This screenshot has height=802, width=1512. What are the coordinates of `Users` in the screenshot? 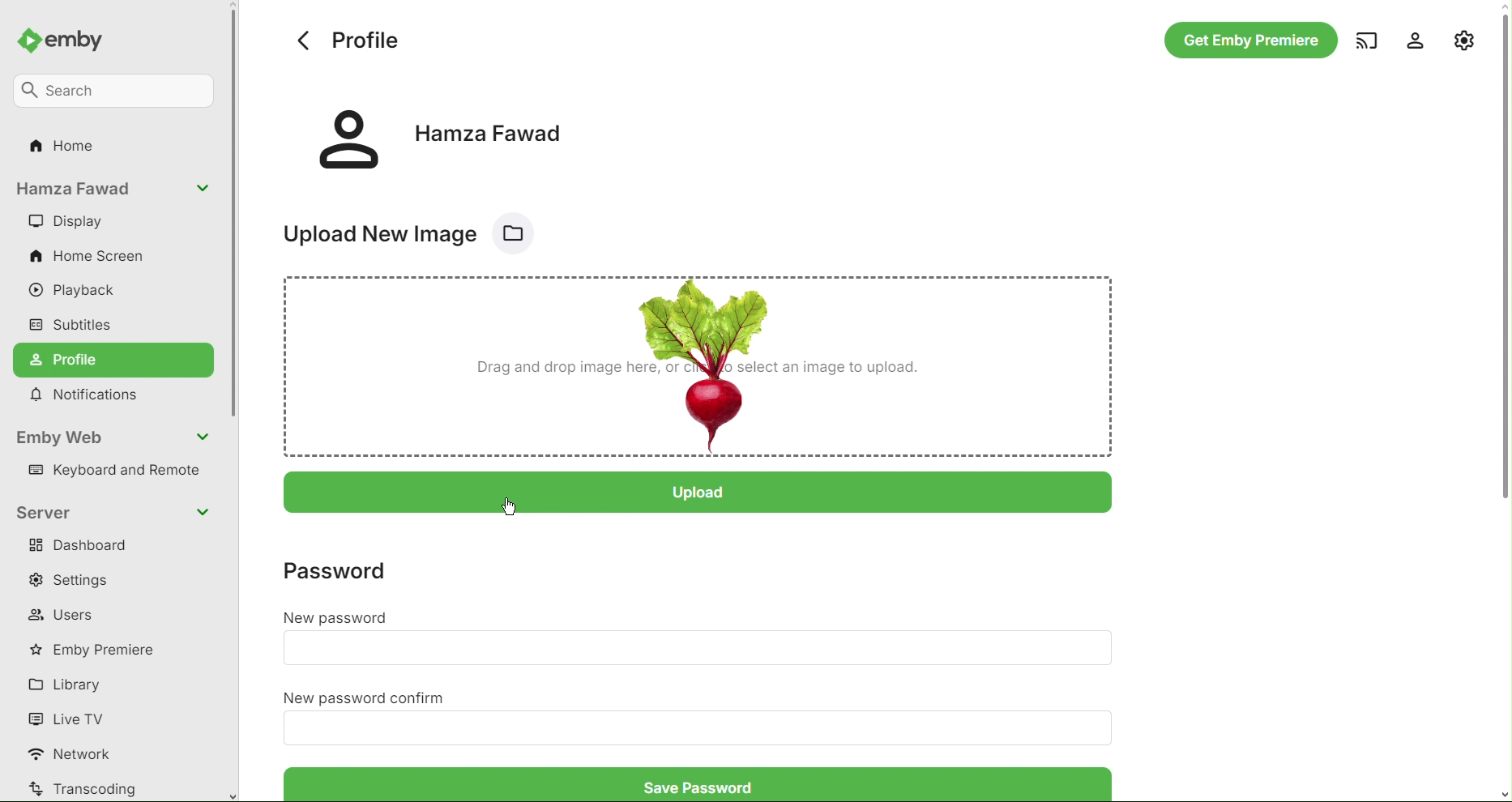 It's located at (64, 615).